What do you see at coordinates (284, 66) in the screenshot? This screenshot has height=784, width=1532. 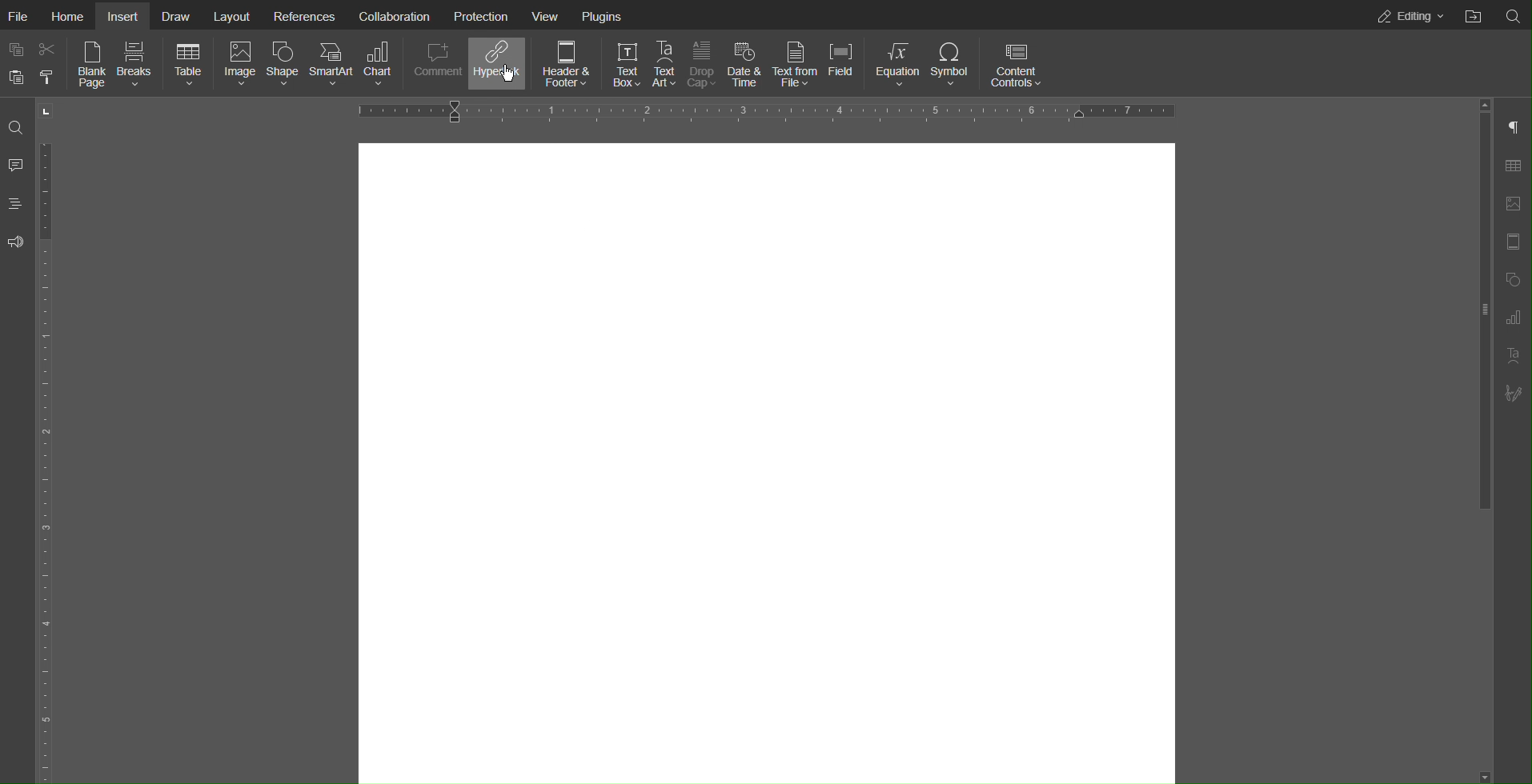 I see `Shape` at bounding box center [284, 66].